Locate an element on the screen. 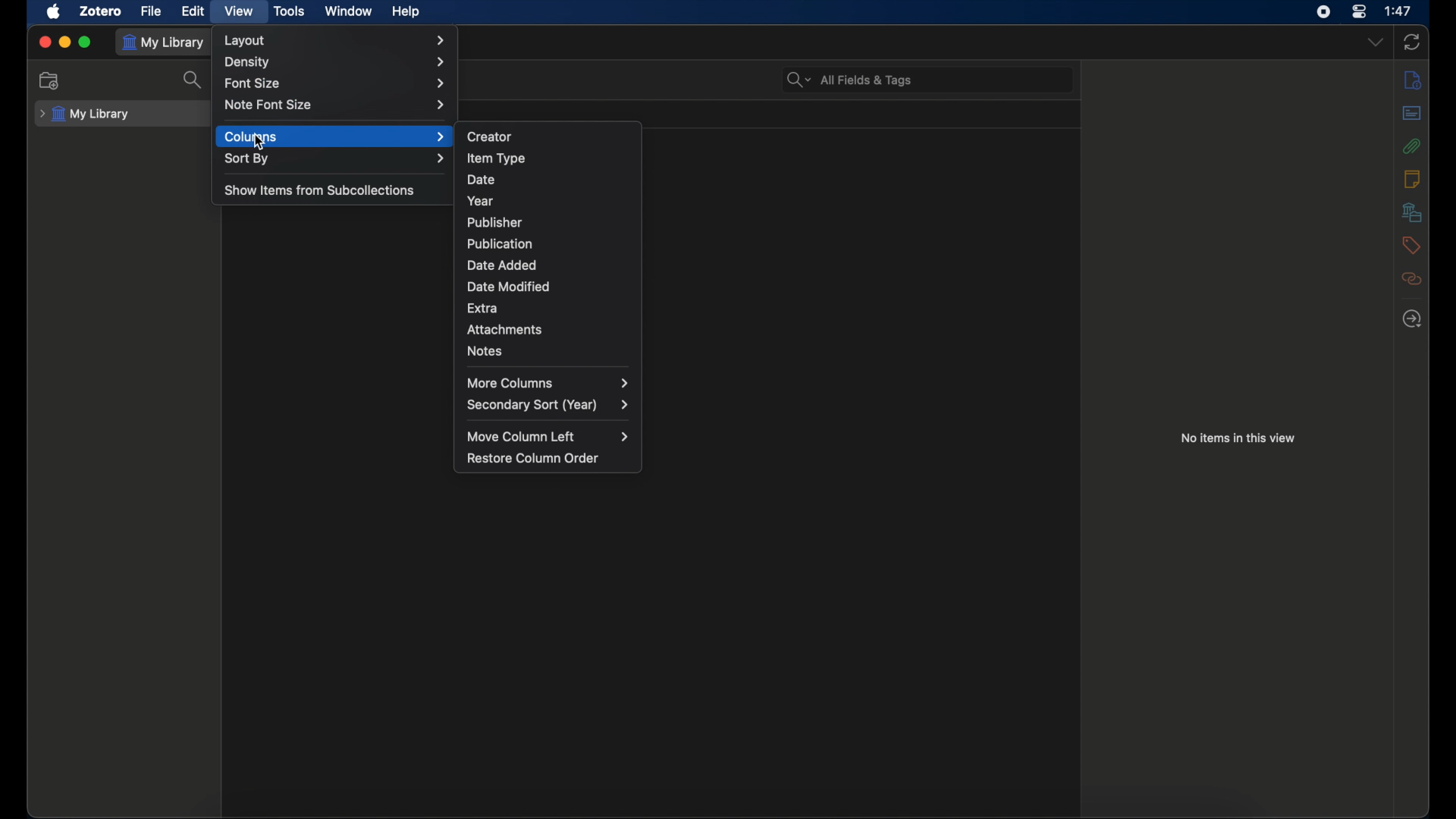 The image size is (1456, 819). creator is located at coordinates (491, 136).